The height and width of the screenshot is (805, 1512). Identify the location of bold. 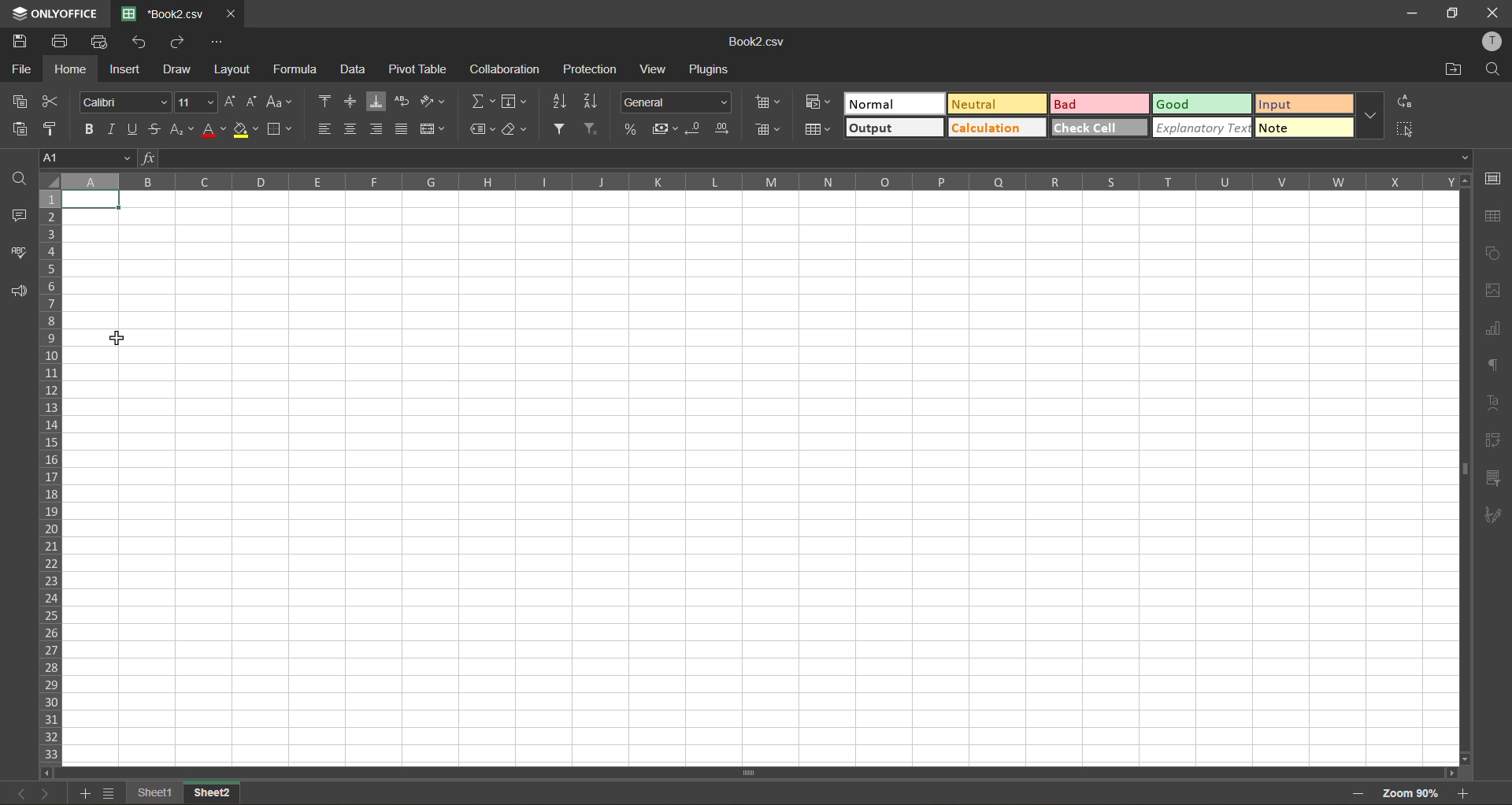
(84, 127).